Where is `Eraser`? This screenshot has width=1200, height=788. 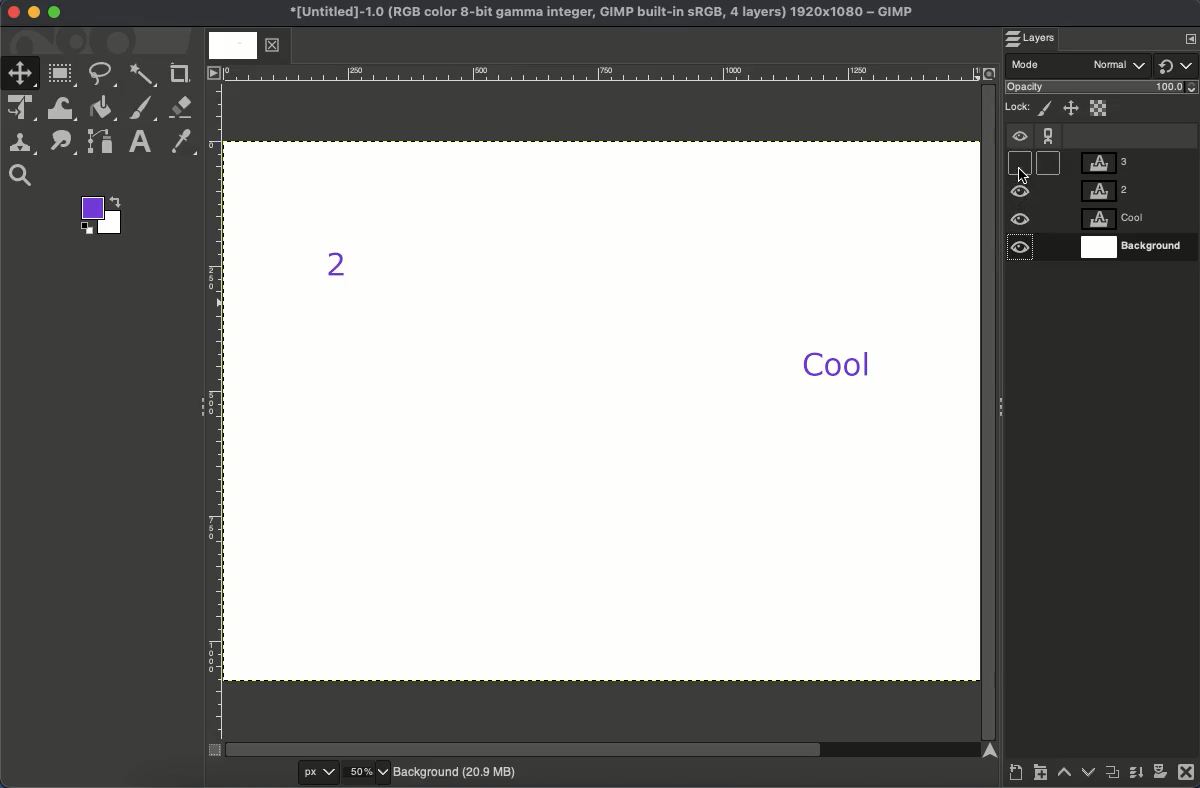
Eraser is located at coordinates (182, 107).